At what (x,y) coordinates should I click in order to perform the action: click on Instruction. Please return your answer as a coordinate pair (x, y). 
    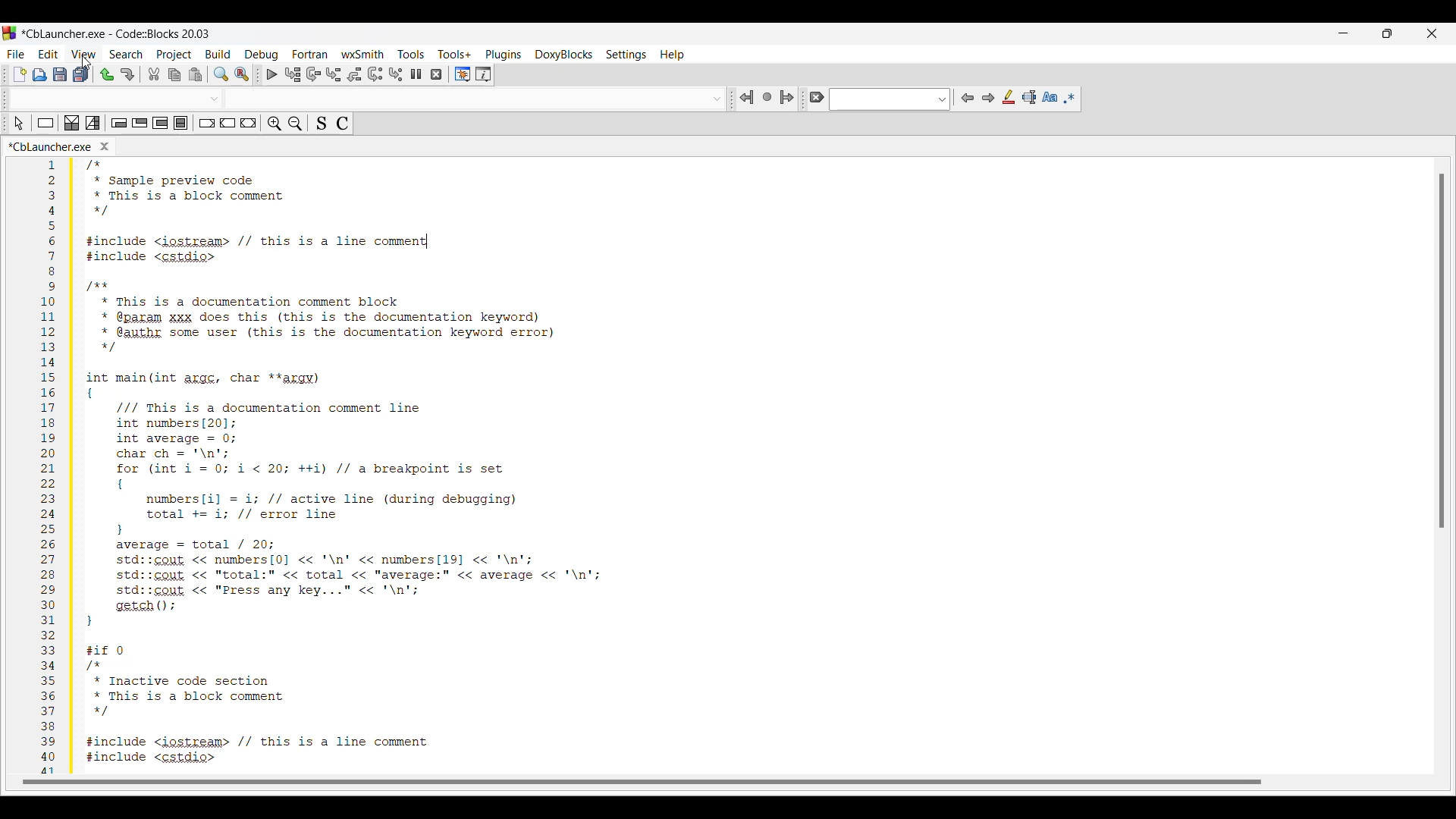
    Looking at the image, I should click on (45, 123).